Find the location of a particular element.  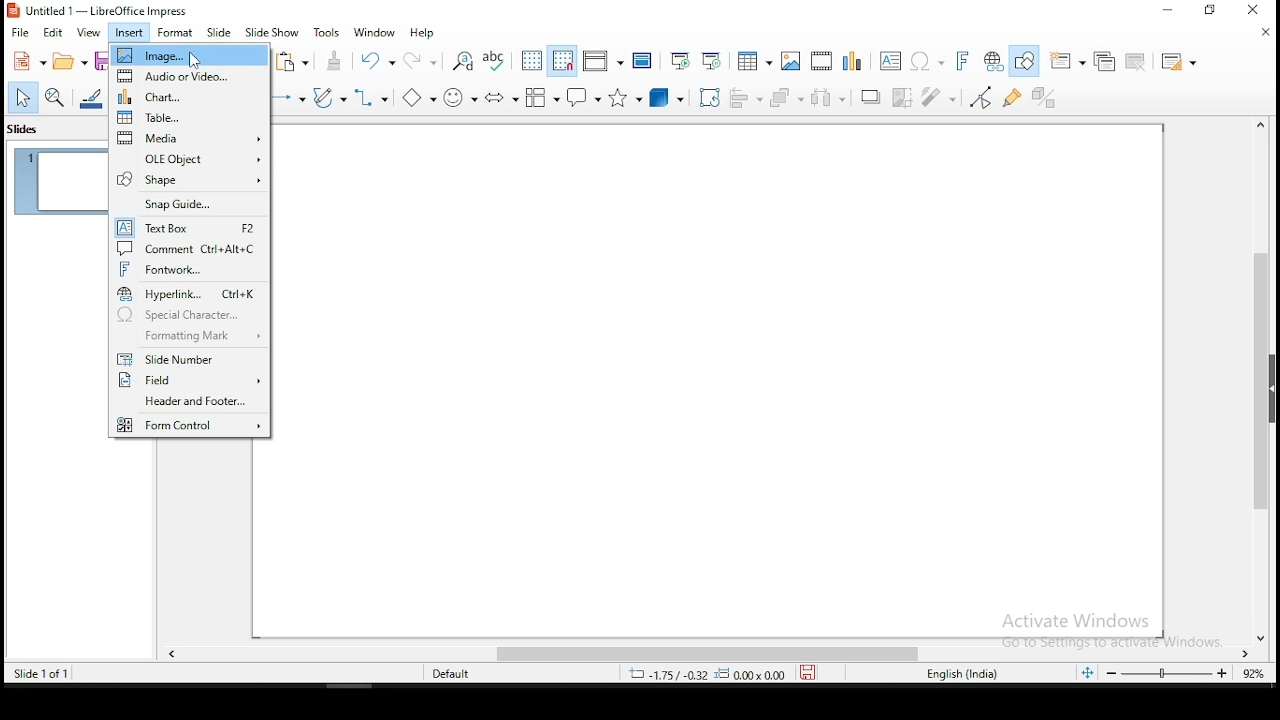

duplicate slide is located at coordinates (1106, 61).